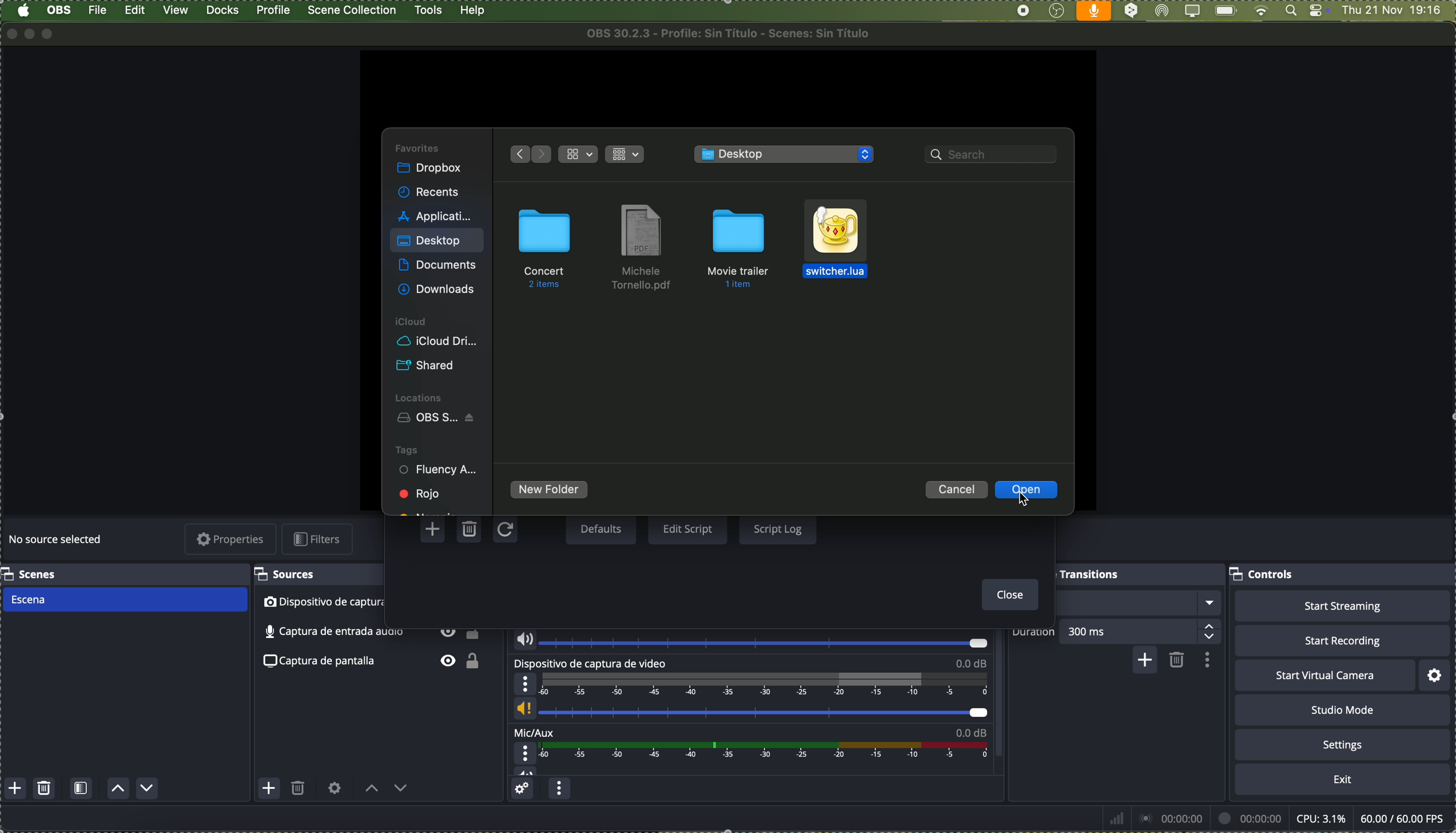  What do you see at coordinates (57, 541) in the screenshot?
I see `no source selected` at bounding box center [57, 541].